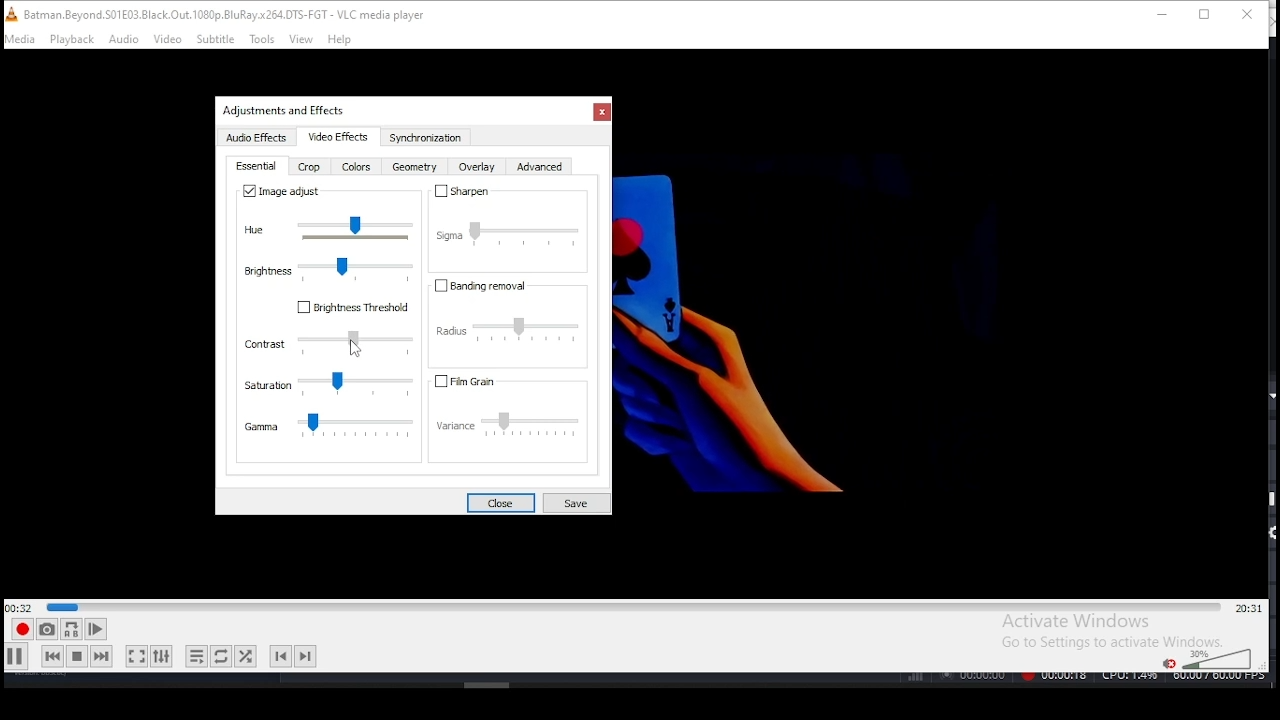 Image resolution: width=1280 pixels, height=720 pixels. What do you see at coordinates (310, 169) in the screenshot?
I see `crop` at bounding box center [310, 169].